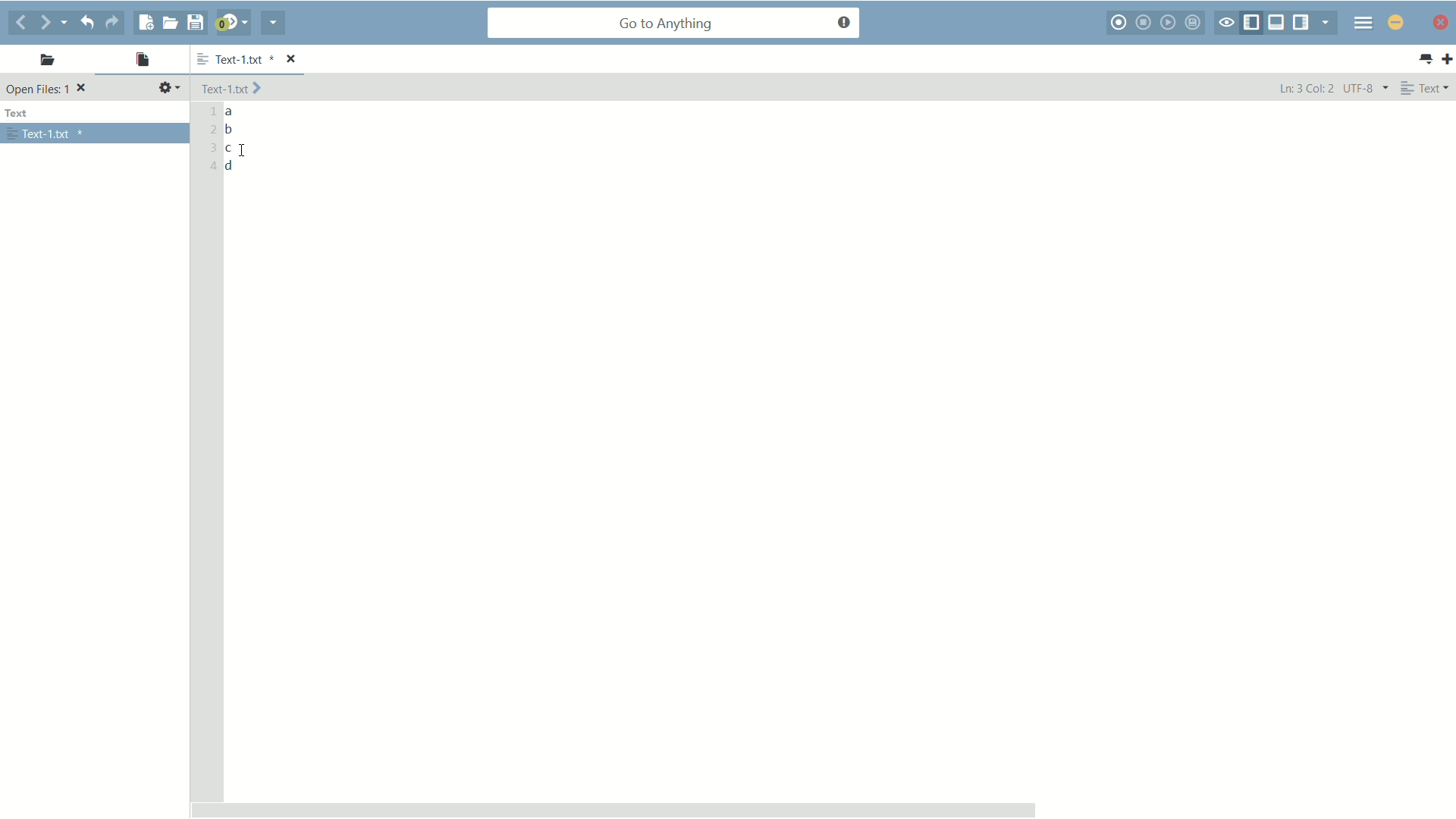 This screenshot has width=1456, height=819. I want to click on show/hide bottom pane, so click(1276, 22).